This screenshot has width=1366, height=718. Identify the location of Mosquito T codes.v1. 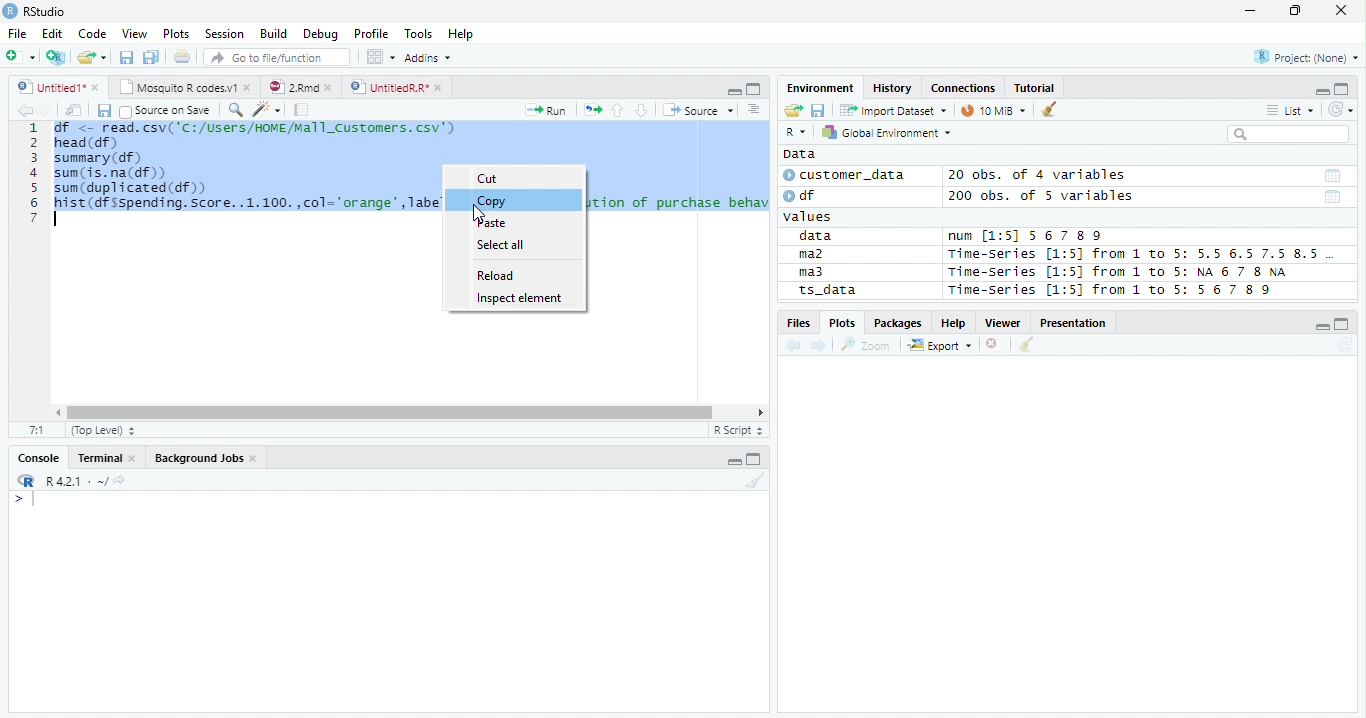
(185, 88).